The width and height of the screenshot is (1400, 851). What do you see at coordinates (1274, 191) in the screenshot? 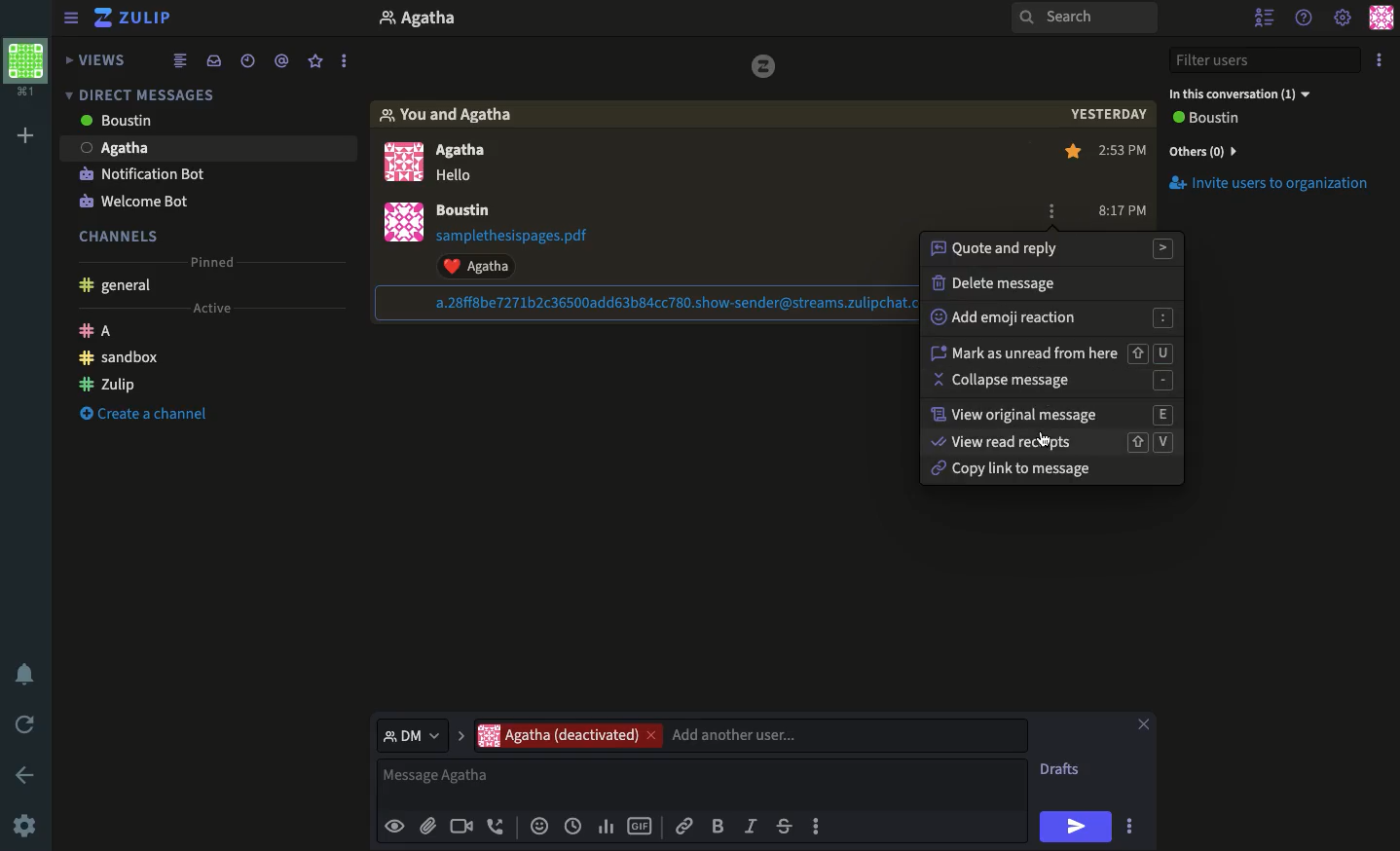
I see `invite users` at bounding box center [1274, 191].